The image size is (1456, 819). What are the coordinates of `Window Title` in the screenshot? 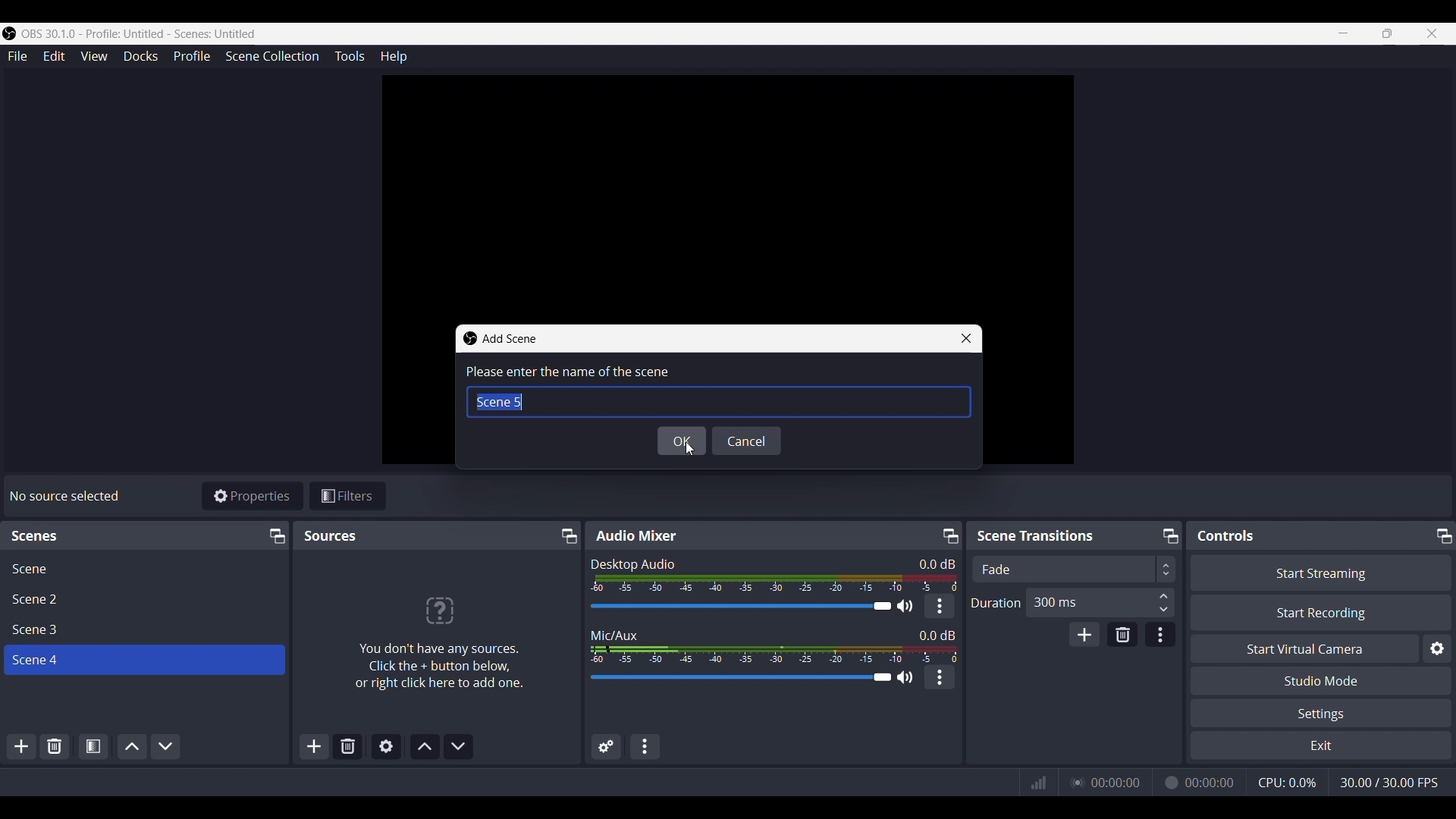 It's located at (130, 34).